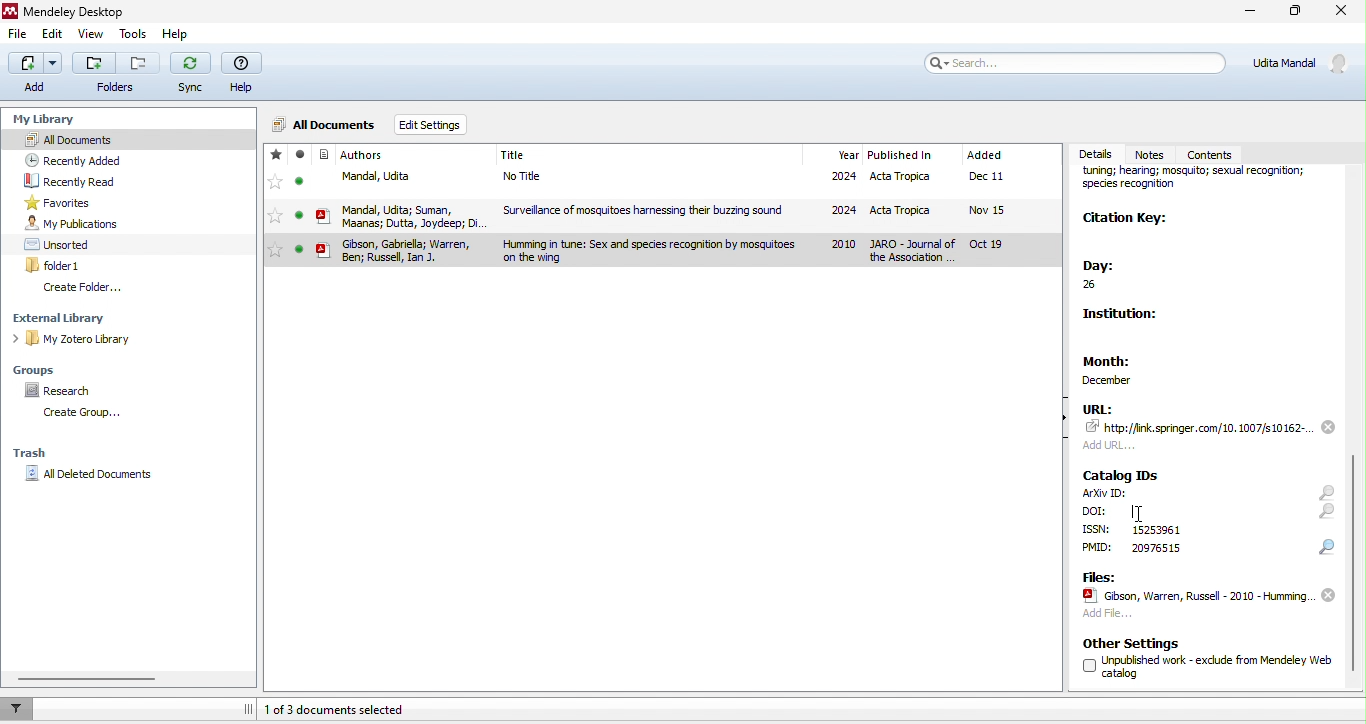 This screenshot has width=1366, height=724. What do you see at coordinates (300, 186) in the screenshot?
I see `seen/unseen` at bounding box center [300, 186].